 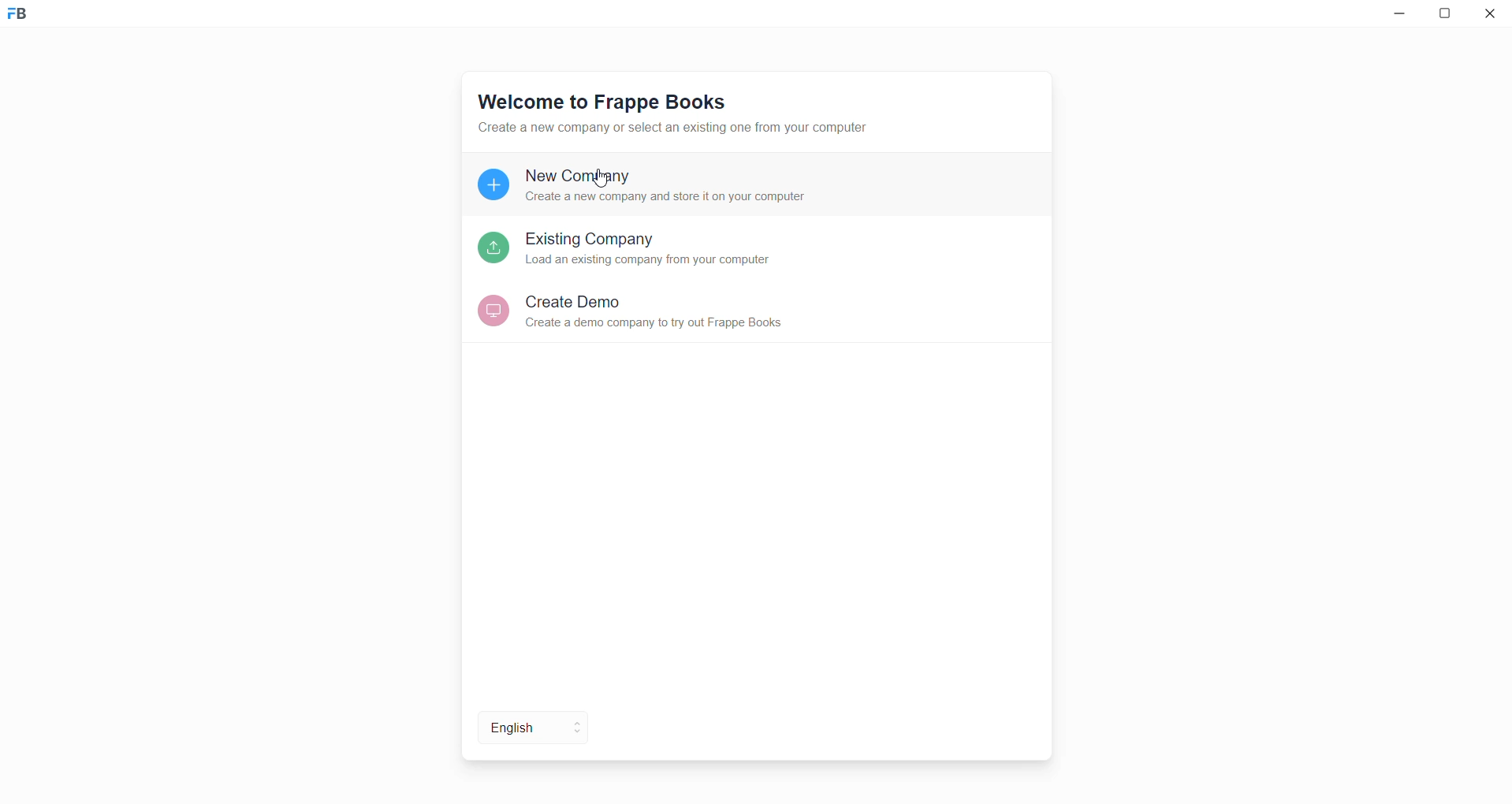 What do you see at coordinates (601, 101) in the screenshot?
I see `Welcome to Frappe Books` at bounding box center [601, 101].